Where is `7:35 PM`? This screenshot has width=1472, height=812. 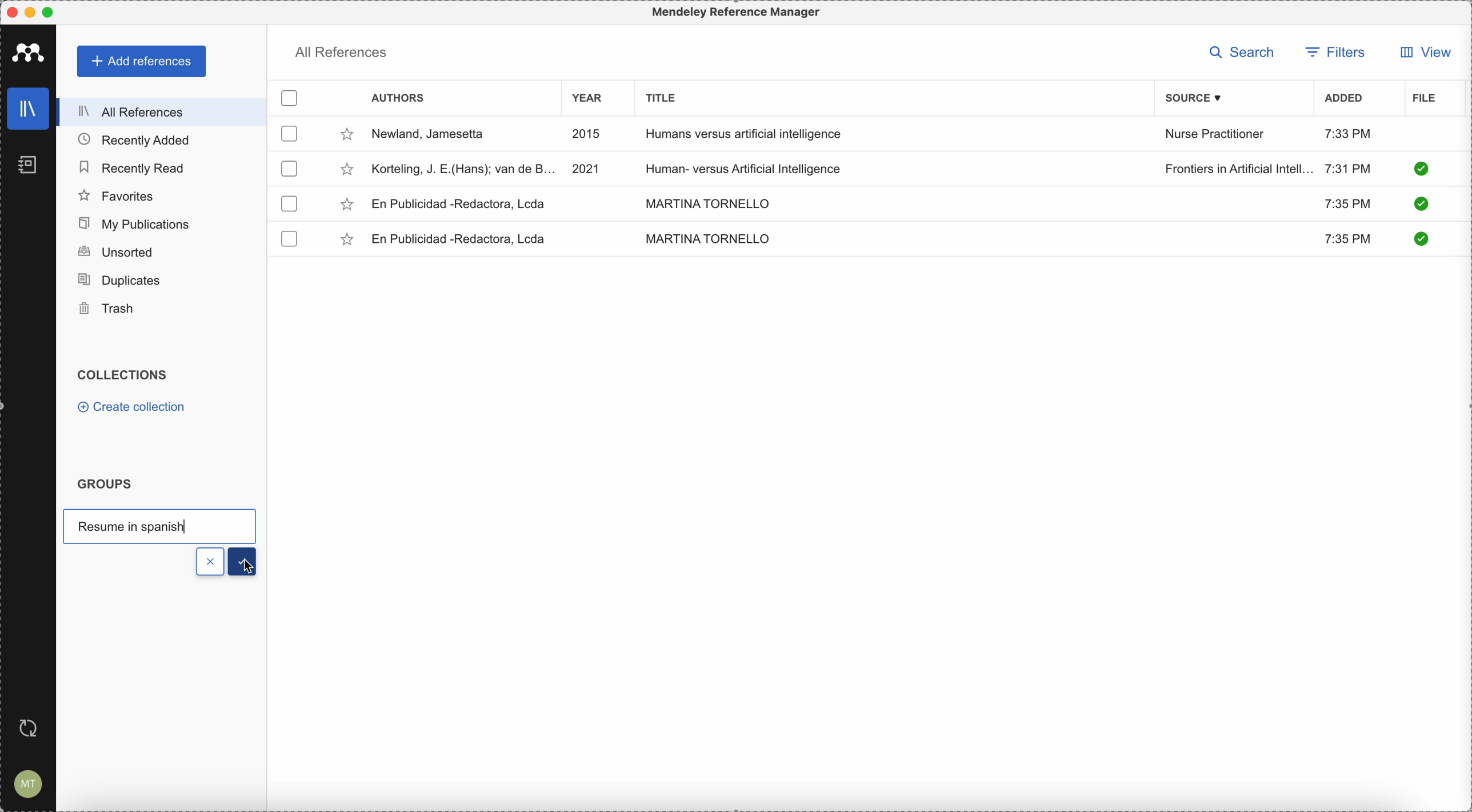
7:35 PM is located at coordinates (1350, 240).